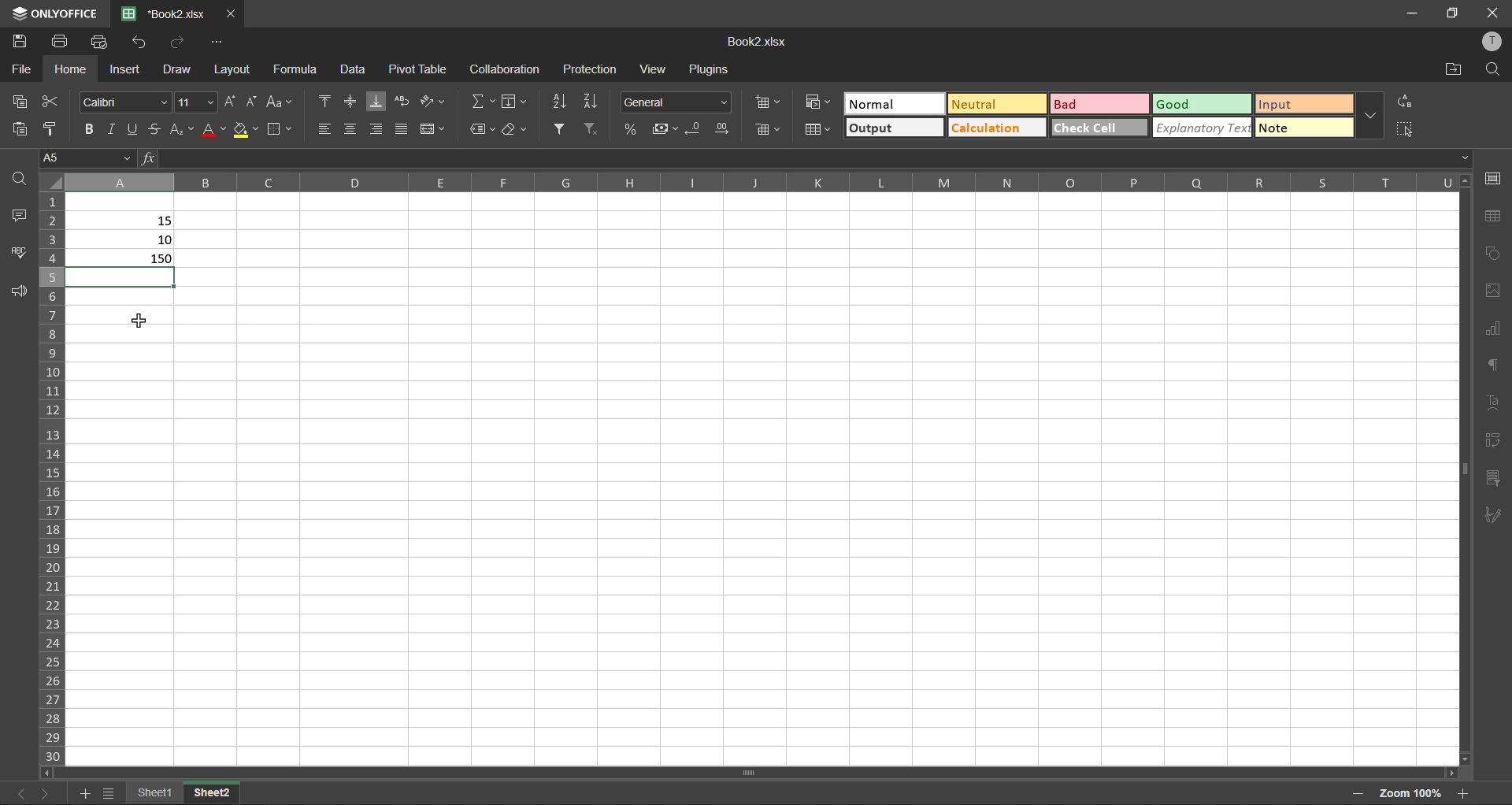  What do you see at coordinates (503, 70) in the screenshot?
I see `collaboration` at bounding box center [503, 70].